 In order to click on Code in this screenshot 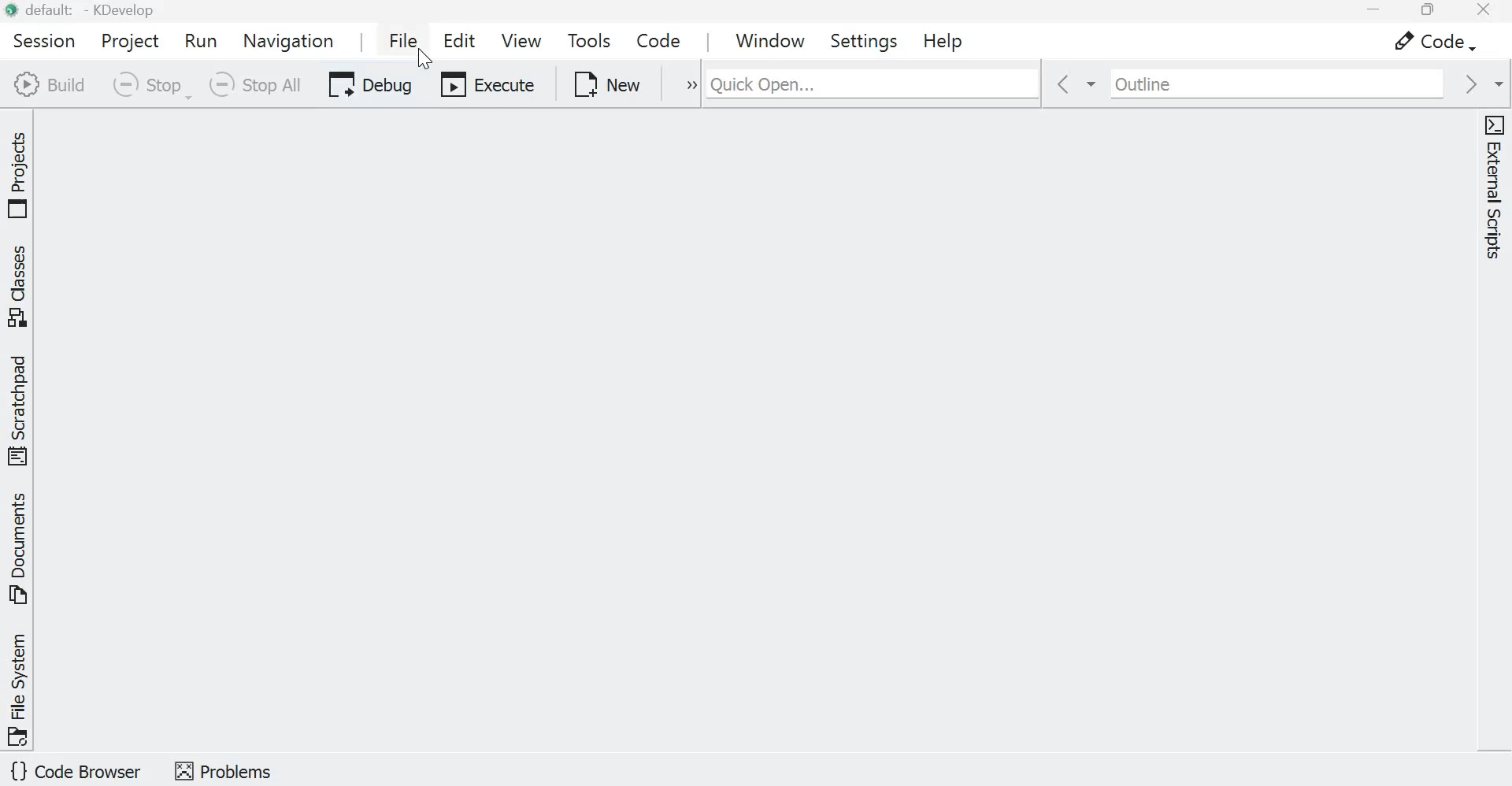, I will do `click(654, 37)`.